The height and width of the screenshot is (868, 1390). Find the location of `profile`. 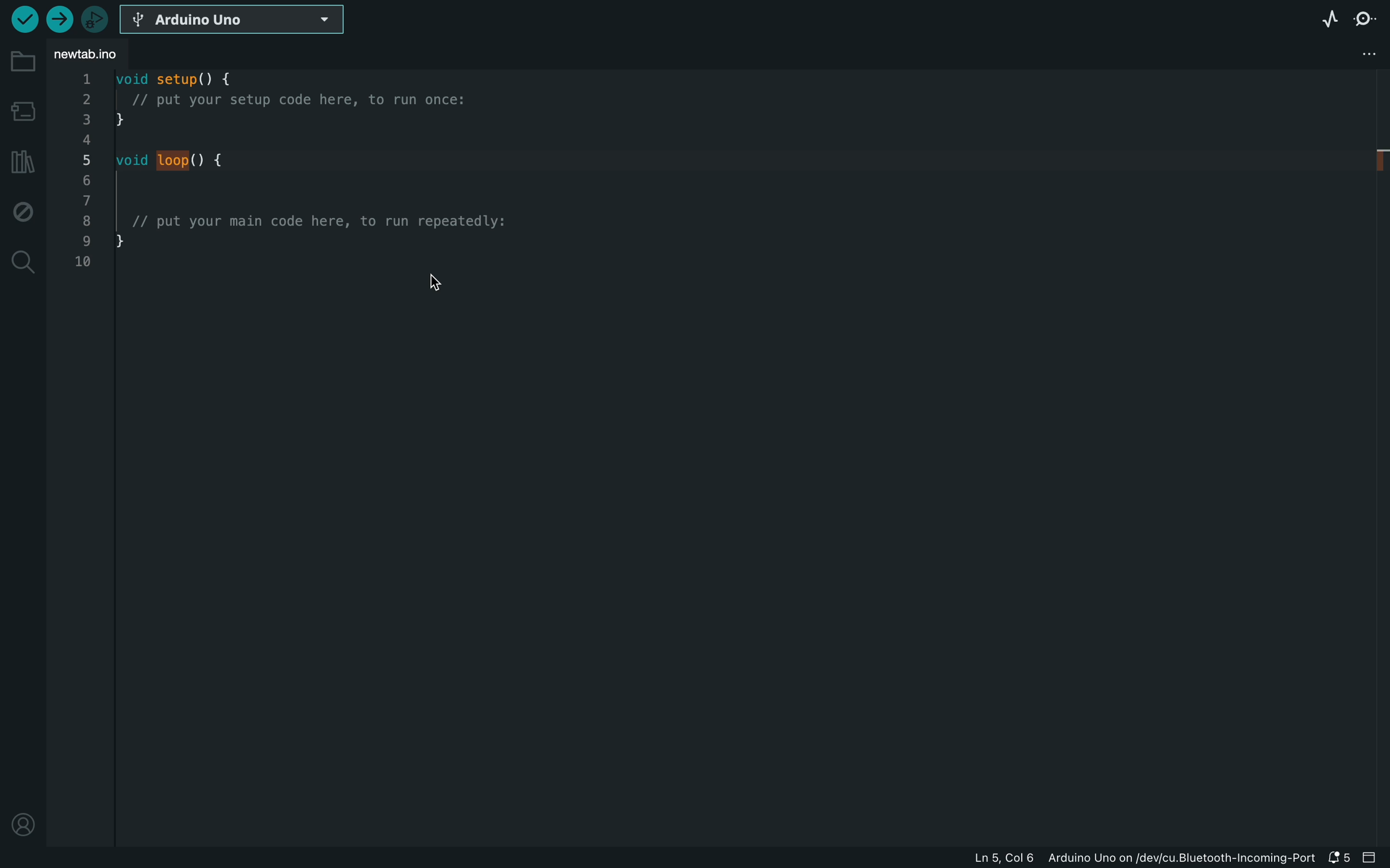

profile is located at coordinates (18, 819).